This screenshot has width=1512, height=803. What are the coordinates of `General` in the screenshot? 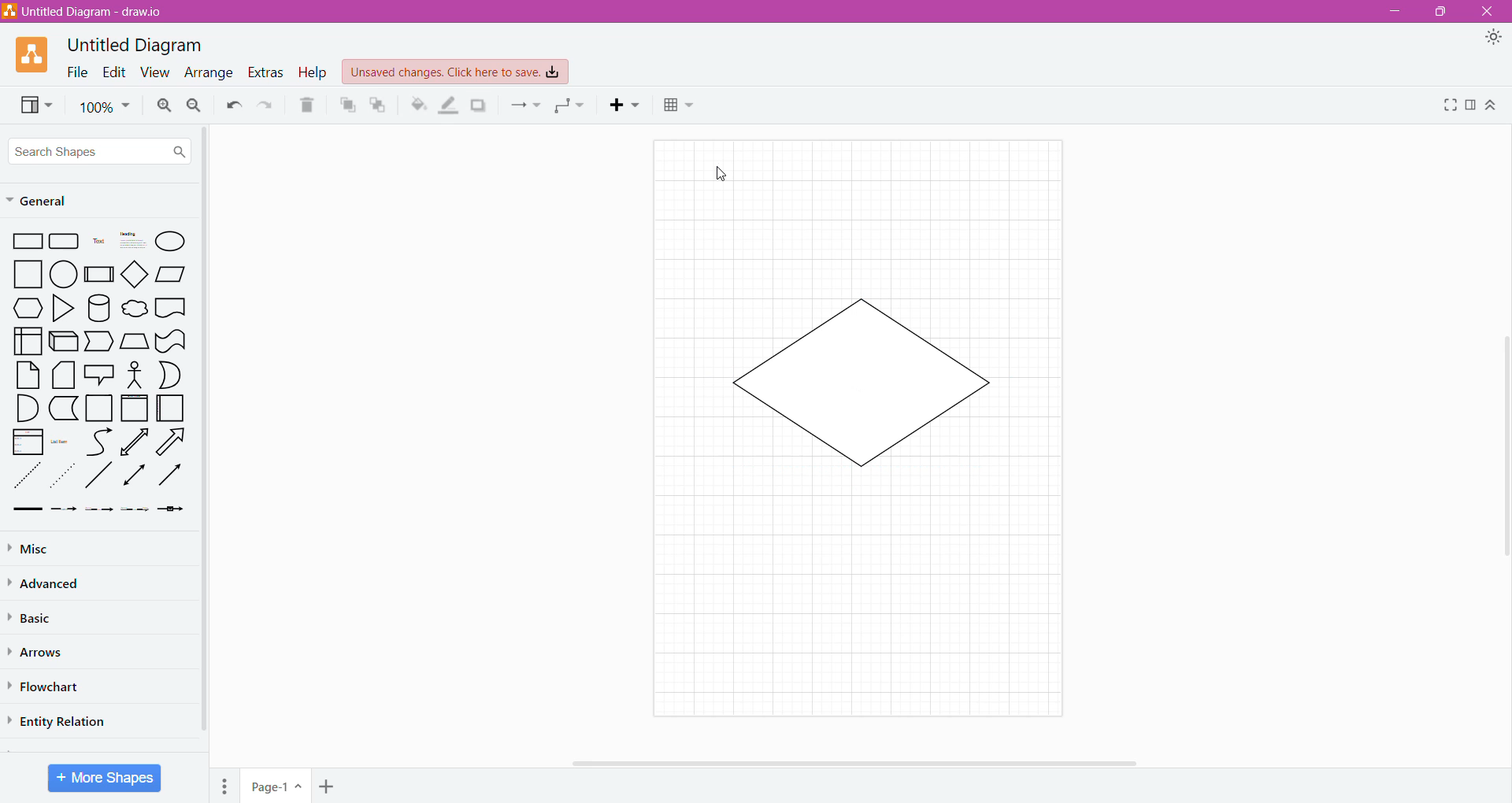 It's located at (46, 202).